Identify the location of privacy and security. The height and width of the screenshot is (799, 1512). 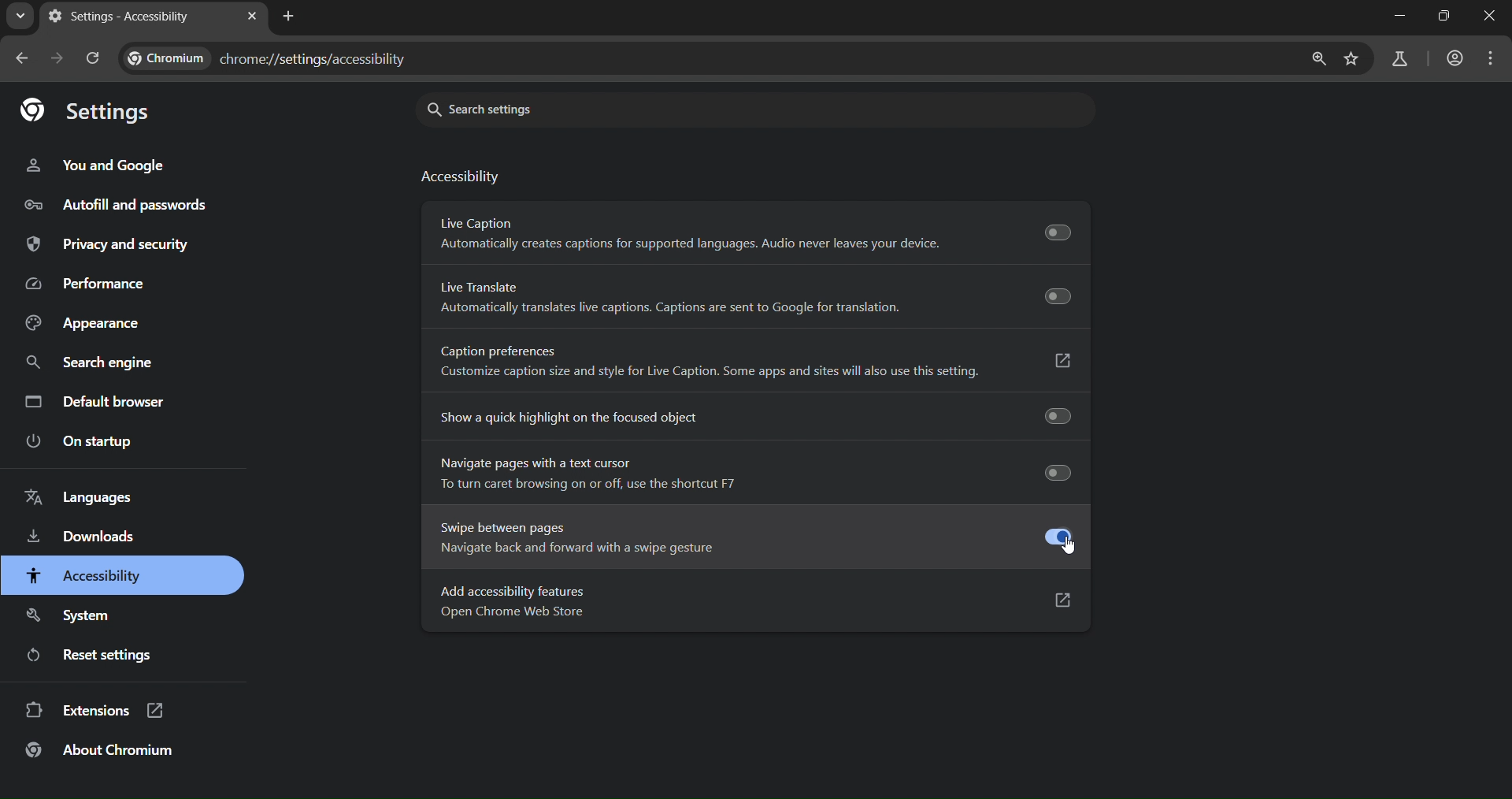
(110, 245).